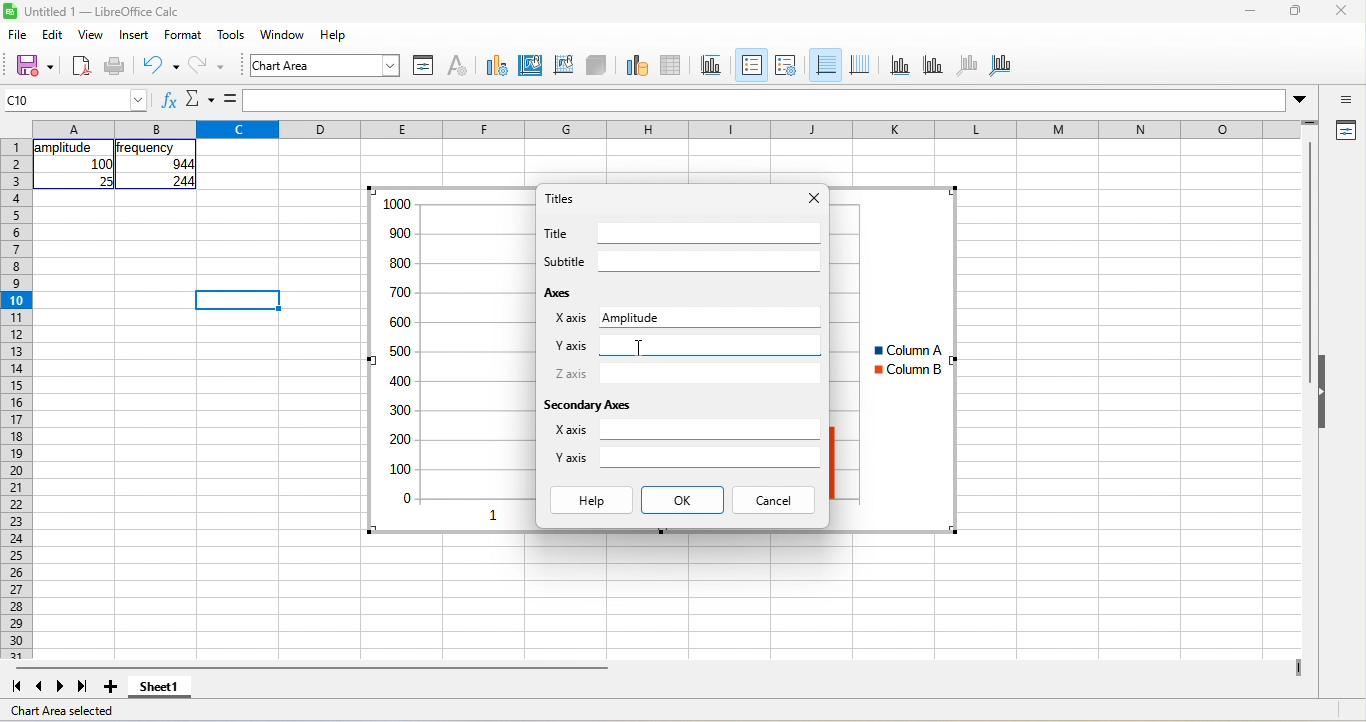 This screenshot has height=722, width=1366. I want to click on legend, so click(786, 66).